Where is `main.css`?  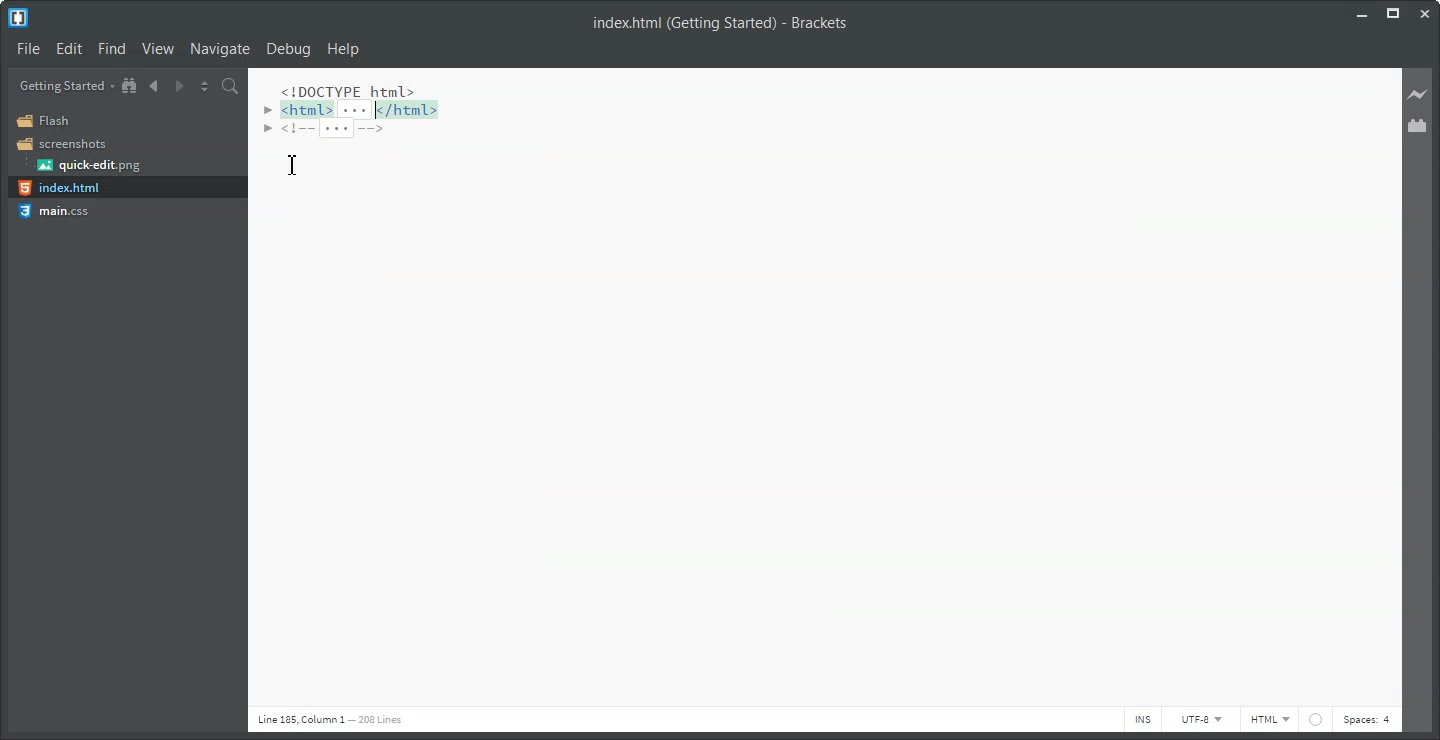
main.css is located at coordinates (61, 211).